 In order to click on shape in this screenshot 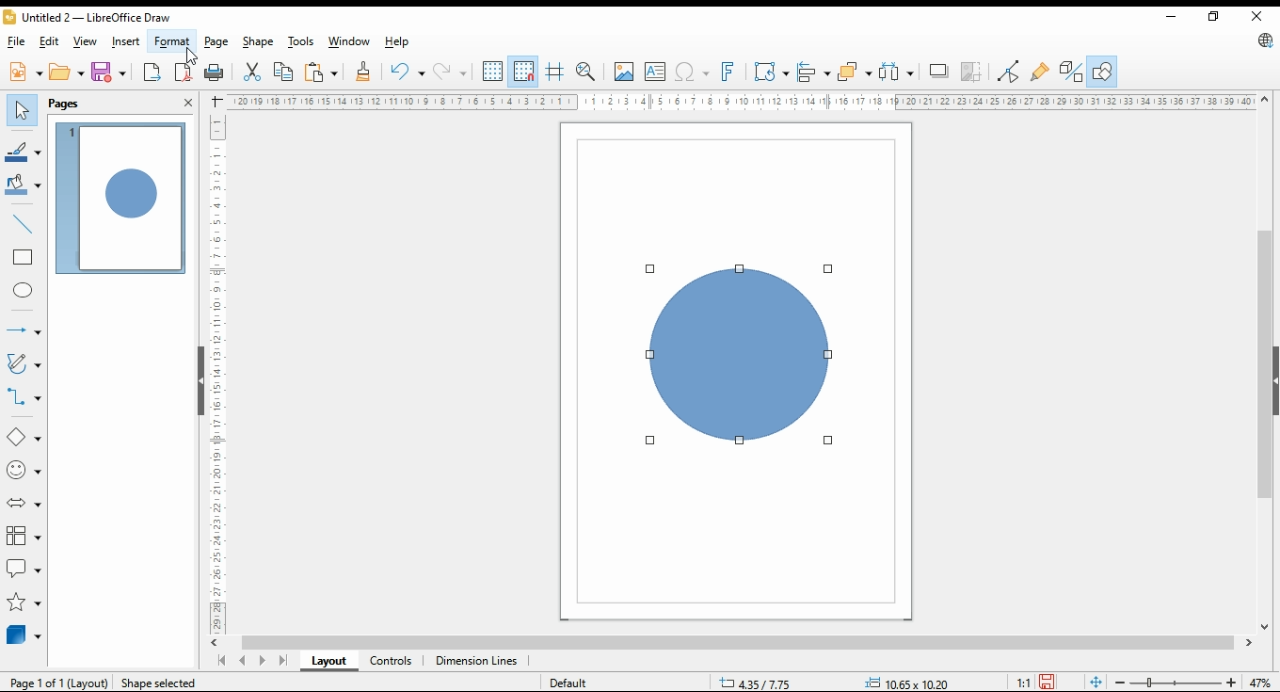, I will do `click(742, 355)`.